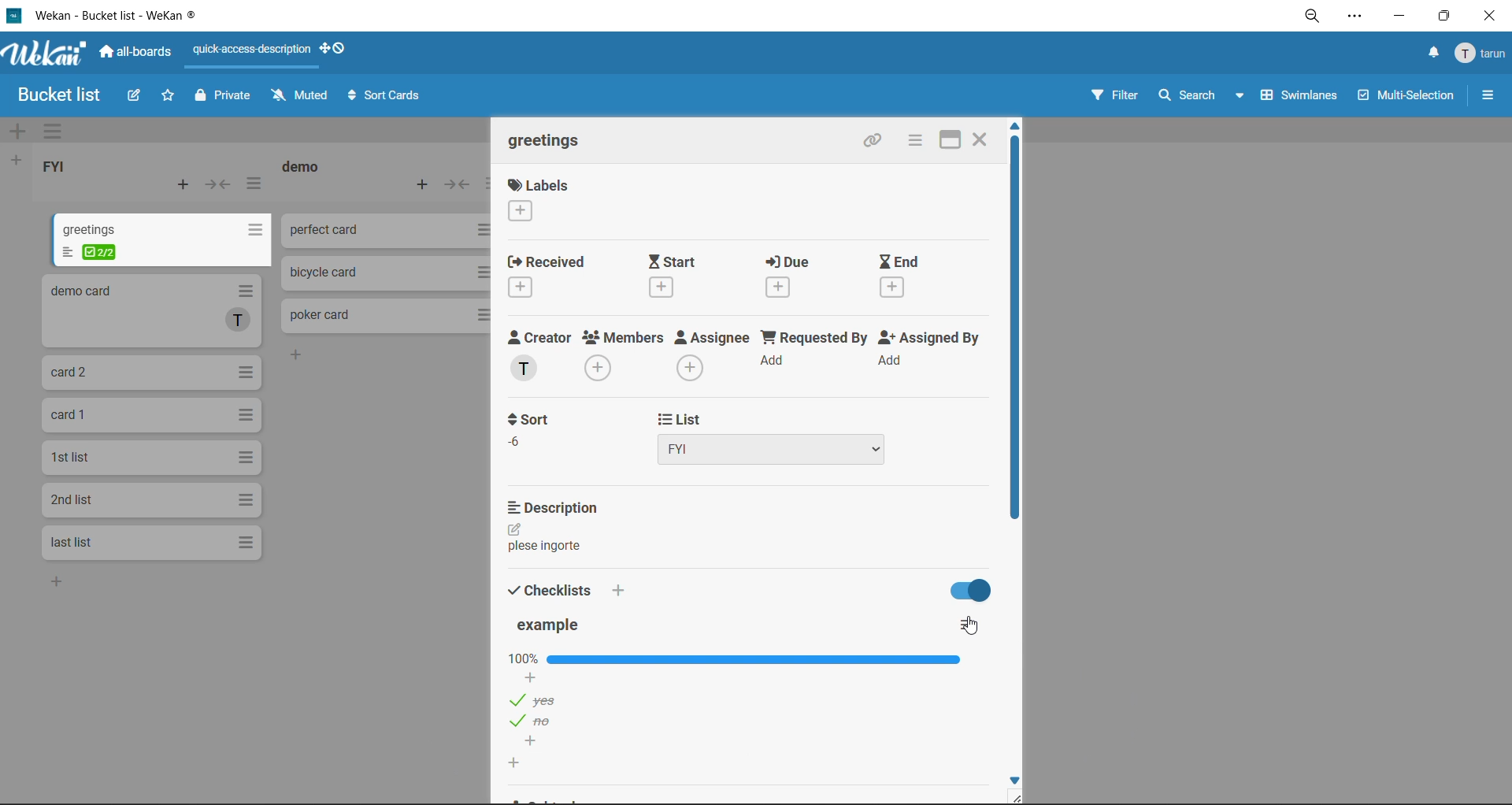 Image resolution: width=1512 pixels, height=805 pixels. What do you see at coordinates (1300, 98) in the screenshot?
I see `swimlanes` at bounding box center [1300, 98].